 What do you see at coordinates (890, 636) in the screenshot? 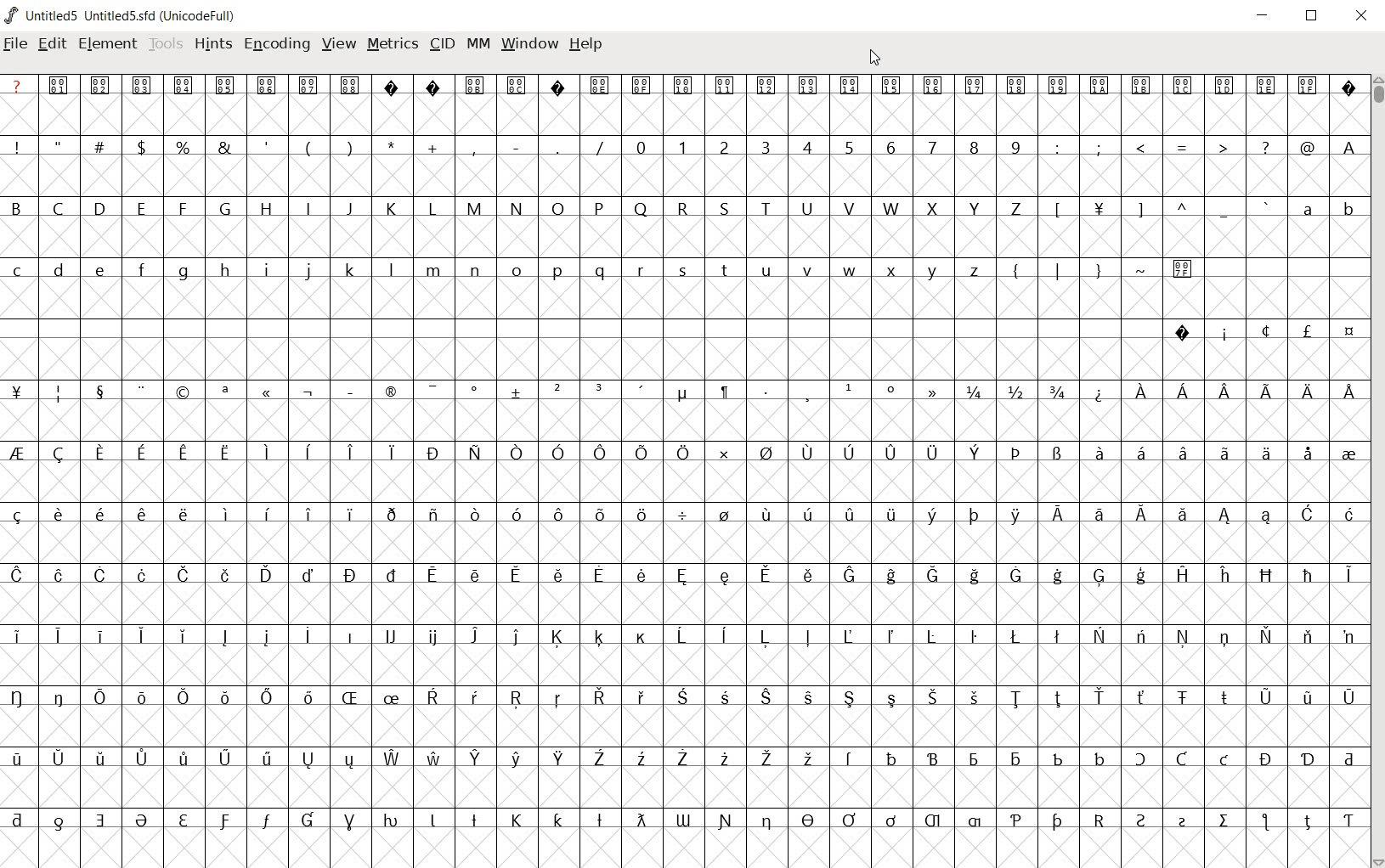
I see `Symbol` at bounding box center [890, 636].